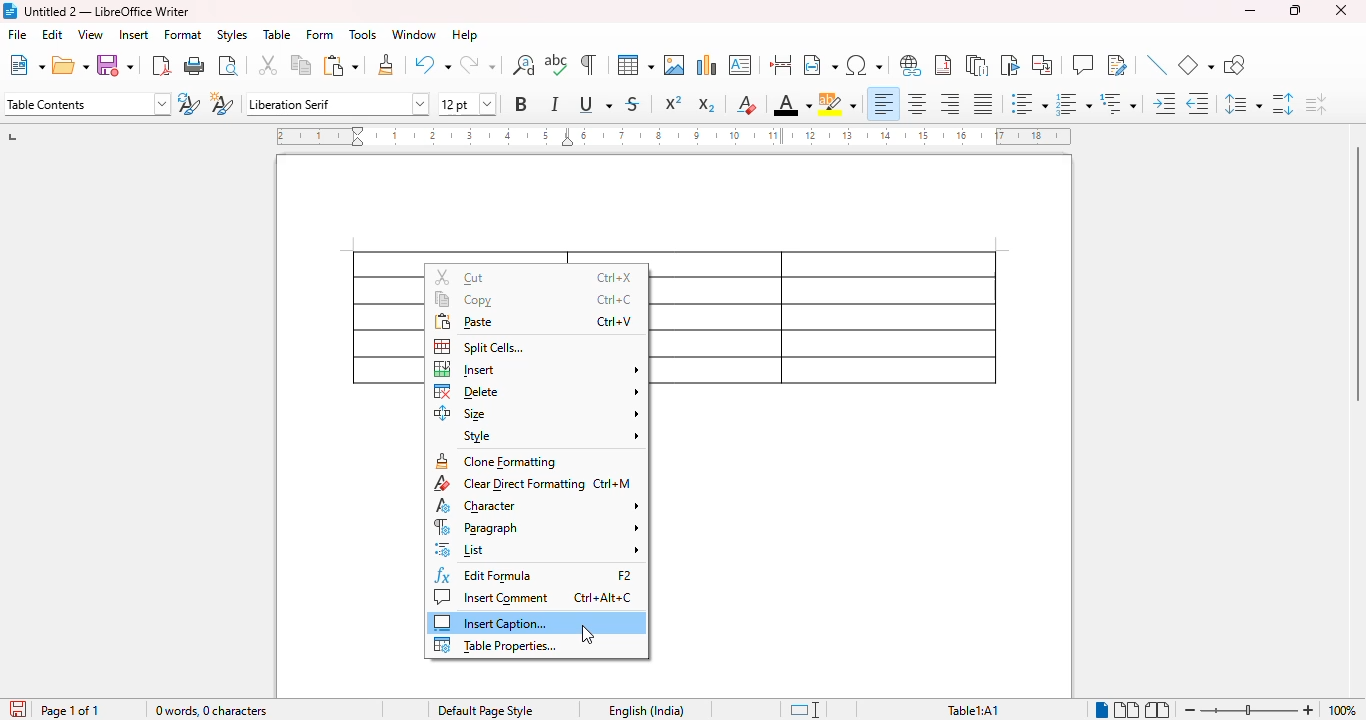 This screenshot has width=1366, height=720. I want to click on maximize, so click(1295, 10).